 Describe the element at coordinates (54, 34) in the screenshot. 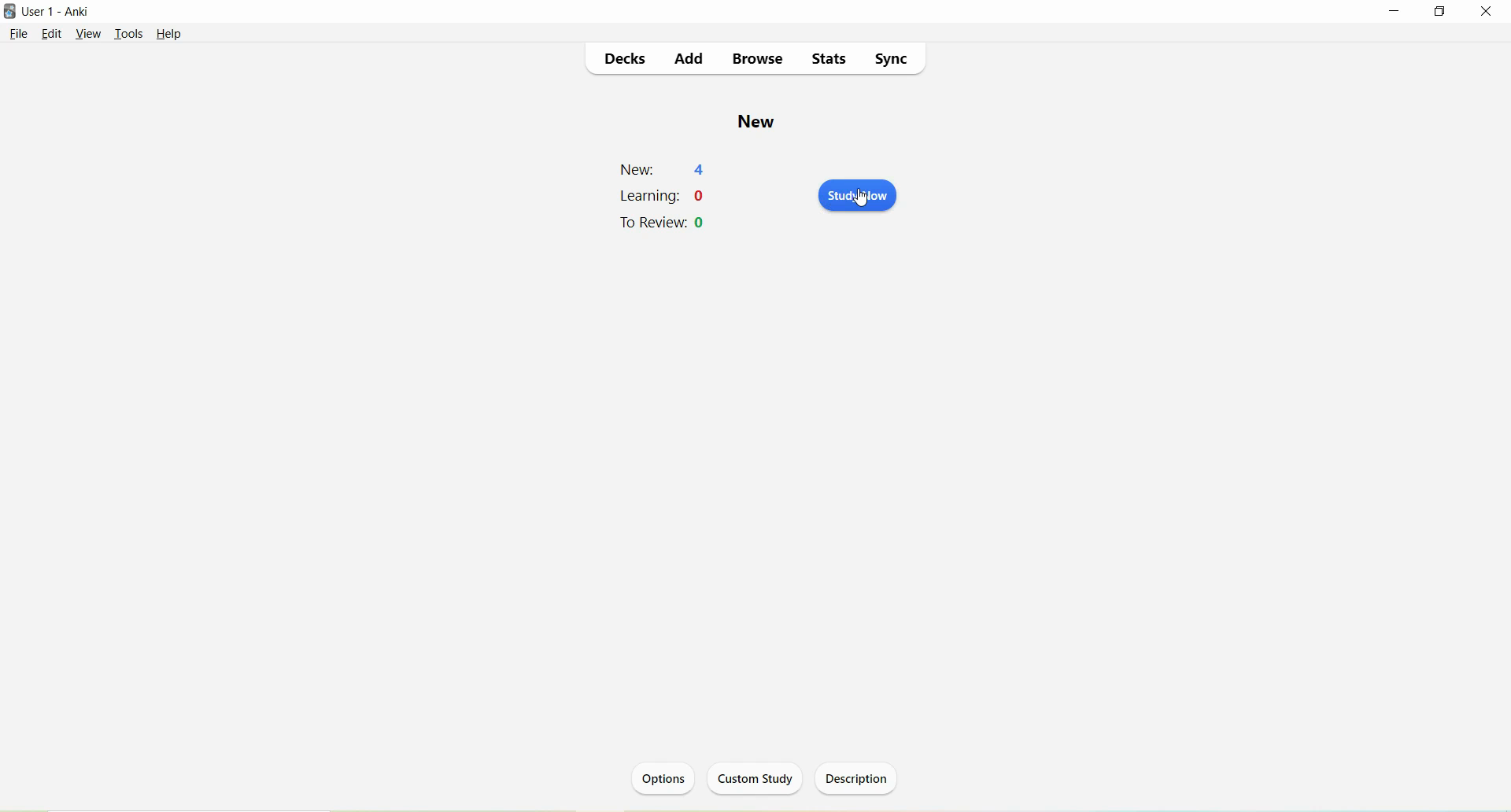

I see `Edit` at that location.